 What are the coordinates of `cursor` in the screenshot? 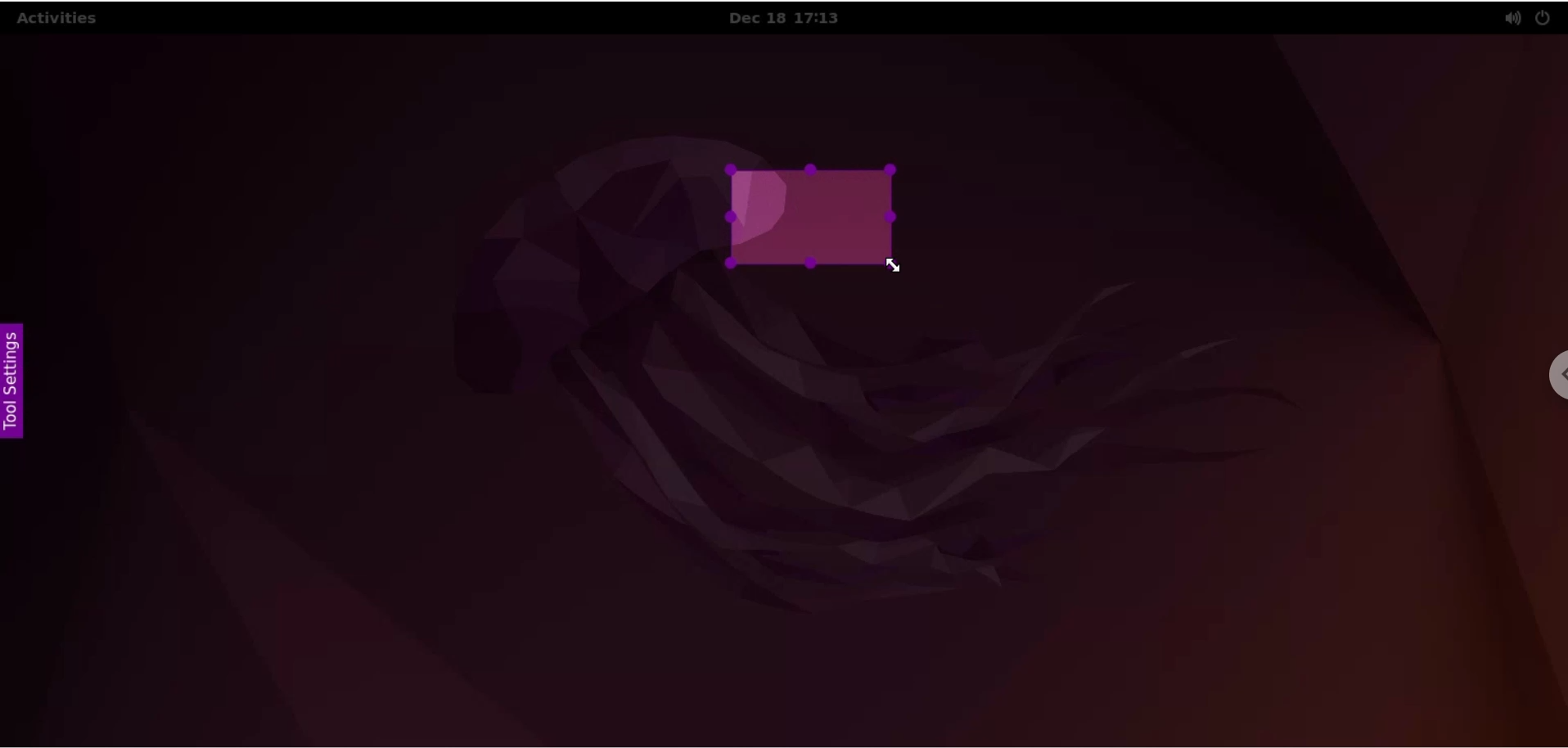 It's located at (897, 265).